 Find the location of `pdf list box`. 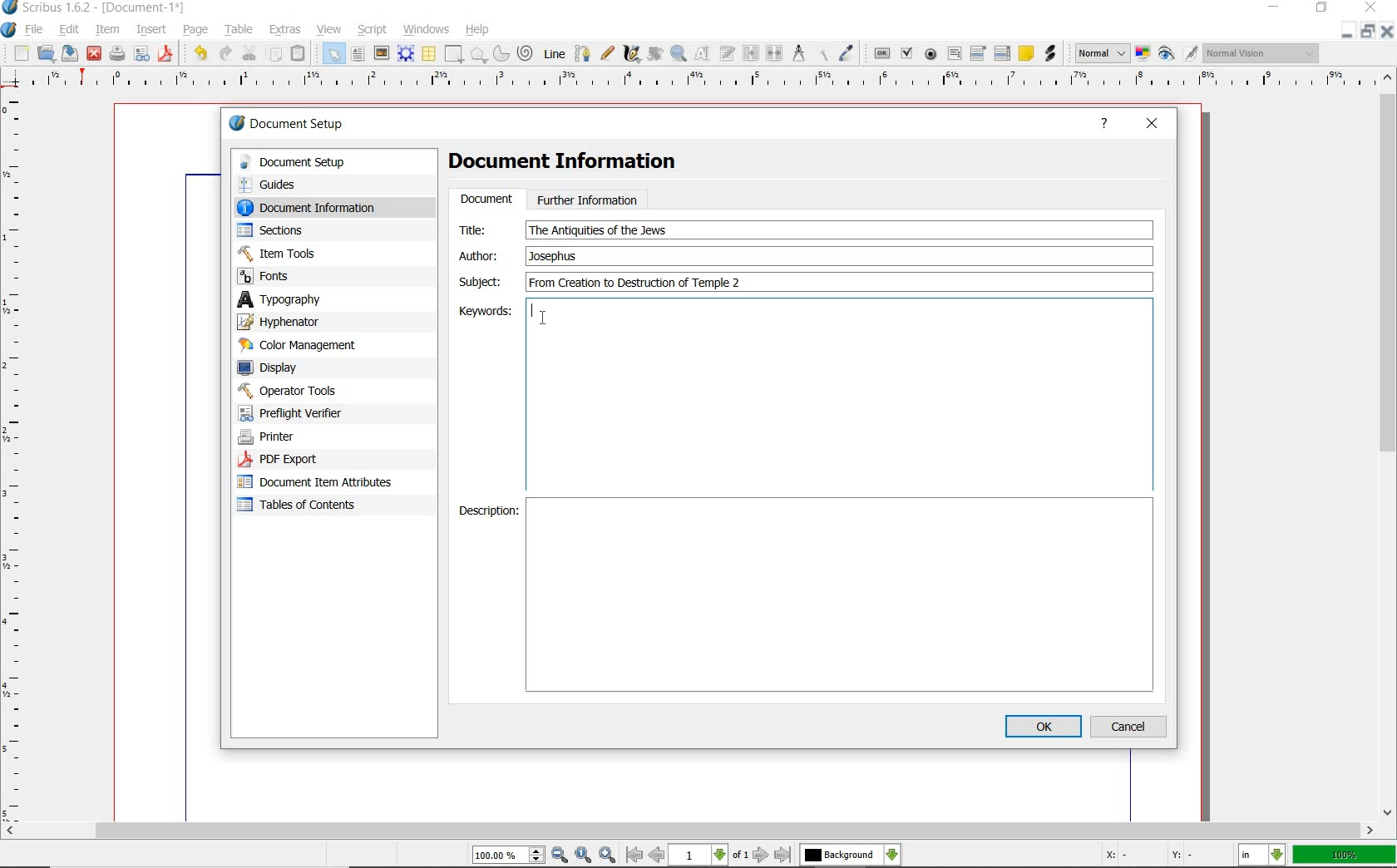

pdf list box is located at coordinates (1001, 53).